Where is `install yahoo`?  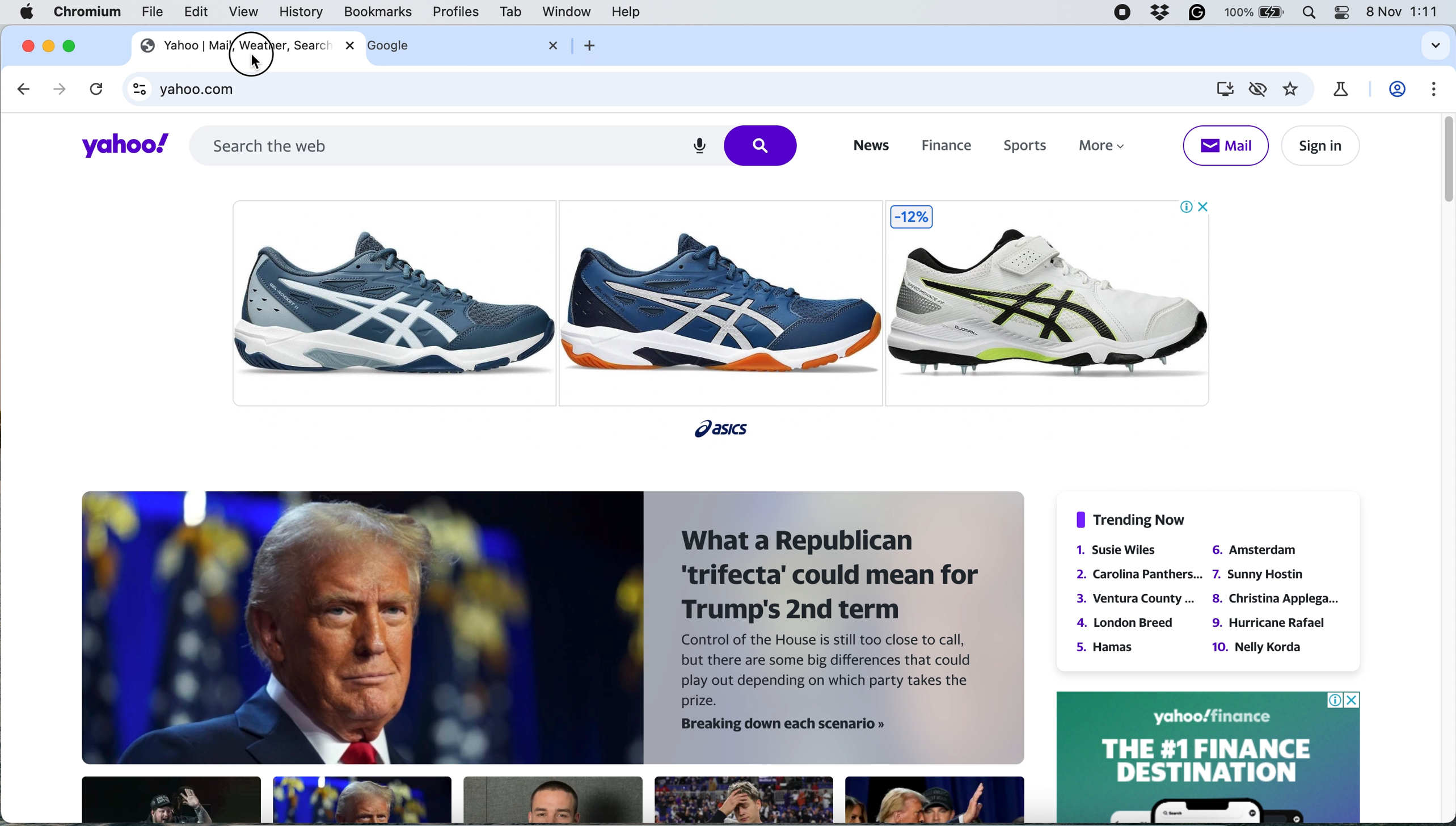 install yahoo is located at coordinates (1223, 88).